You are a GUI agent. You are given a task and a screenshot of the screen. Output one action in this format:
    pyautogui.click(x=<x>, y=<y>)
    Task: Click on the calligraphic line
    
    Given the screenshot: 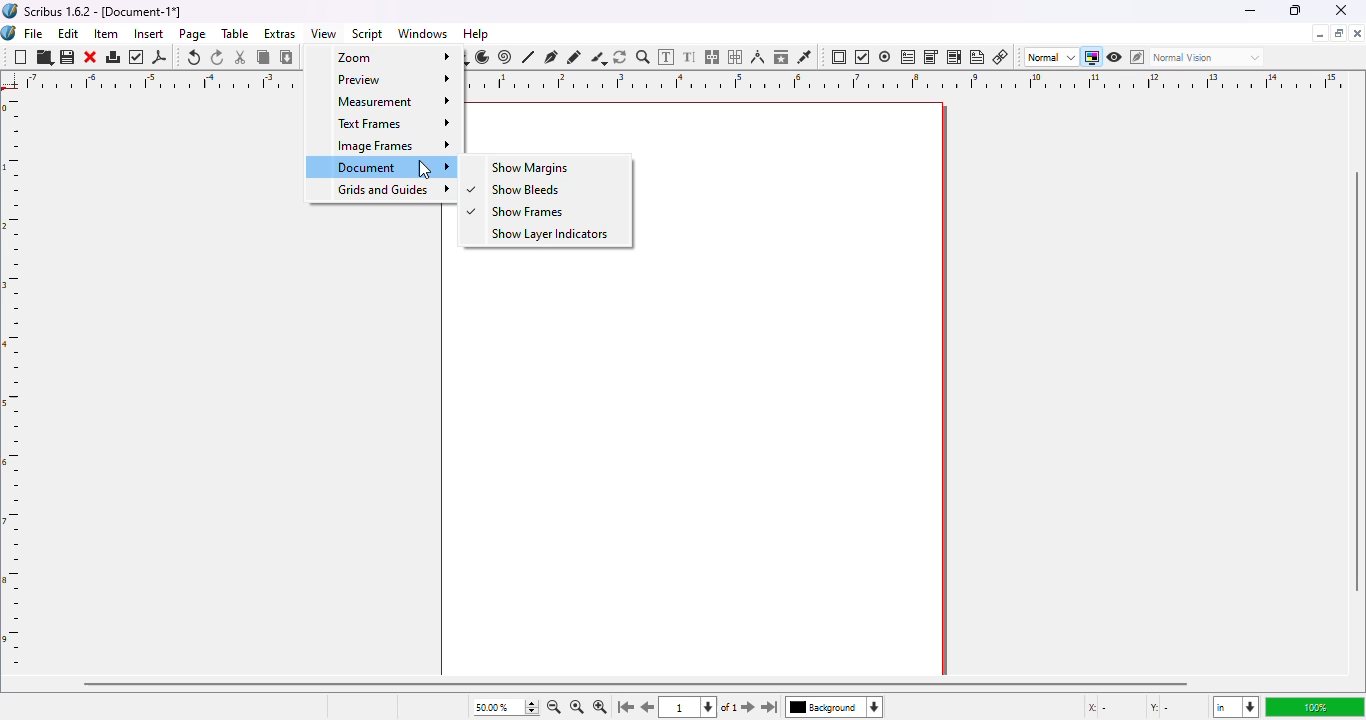 What is the action you would take?
    pyautogui.click(x=598, y=58)
    